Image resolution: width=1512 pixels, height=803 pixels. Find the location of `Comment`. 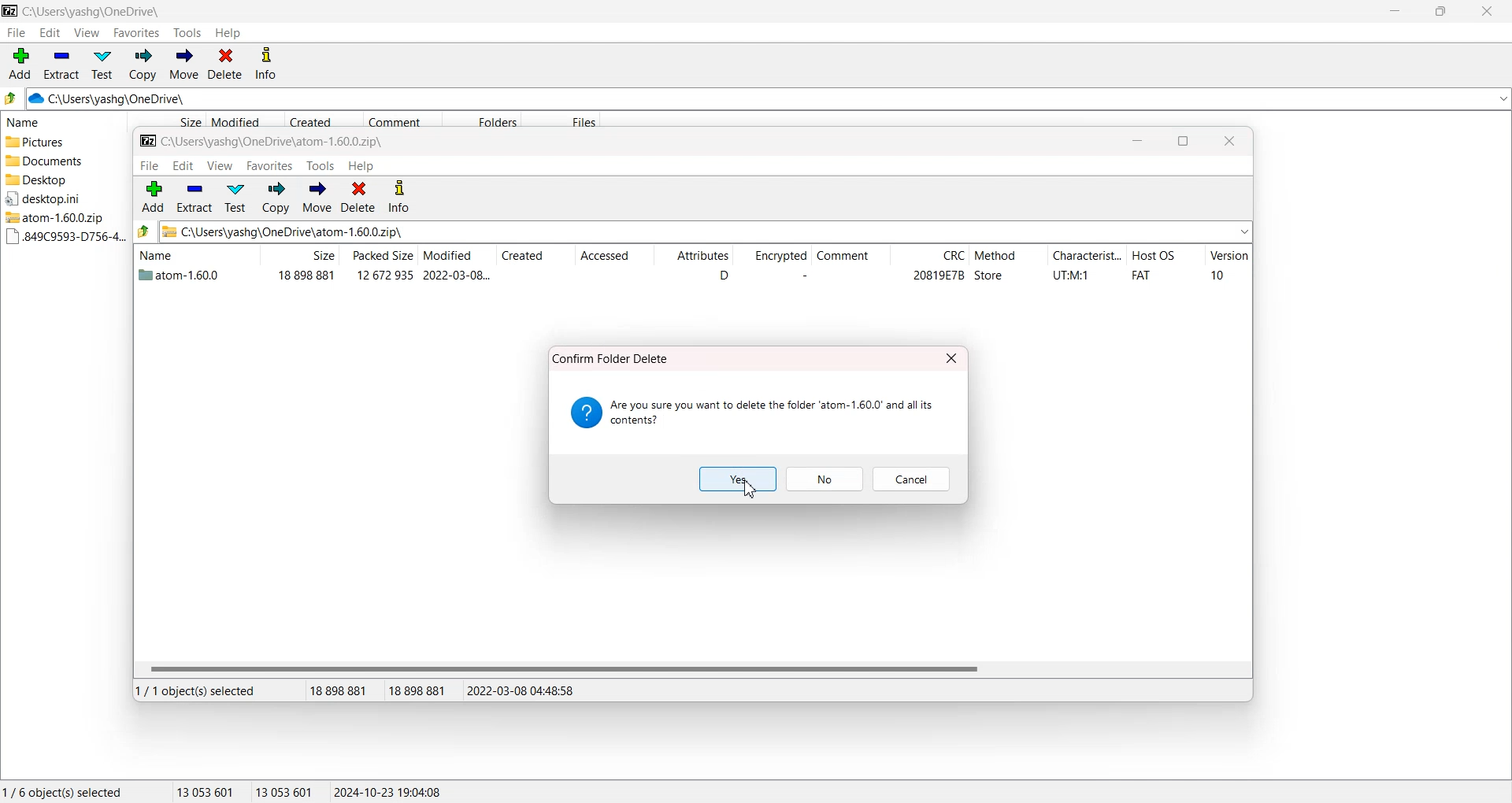

Comment is located at coordinates (849, 257).